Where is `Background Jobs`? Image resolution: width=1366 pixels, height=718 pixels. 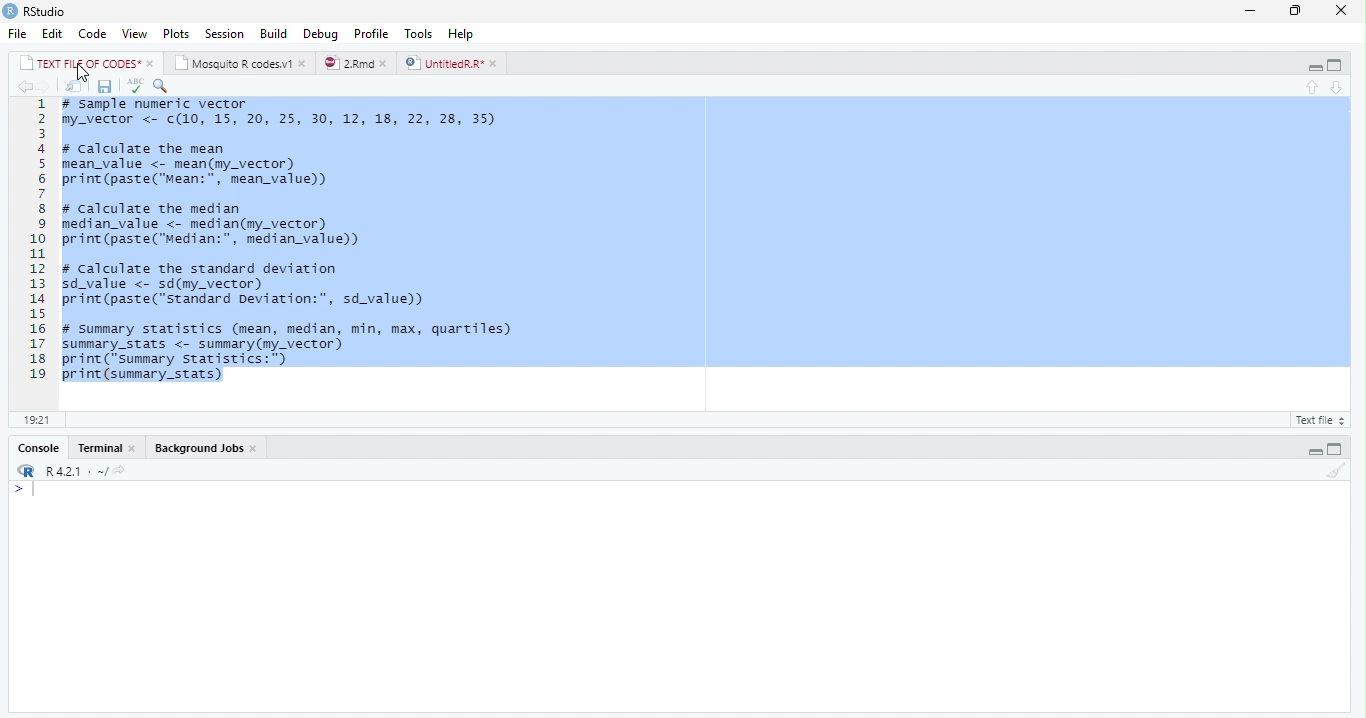
Background Jobs is located at coordinates (199, 448).